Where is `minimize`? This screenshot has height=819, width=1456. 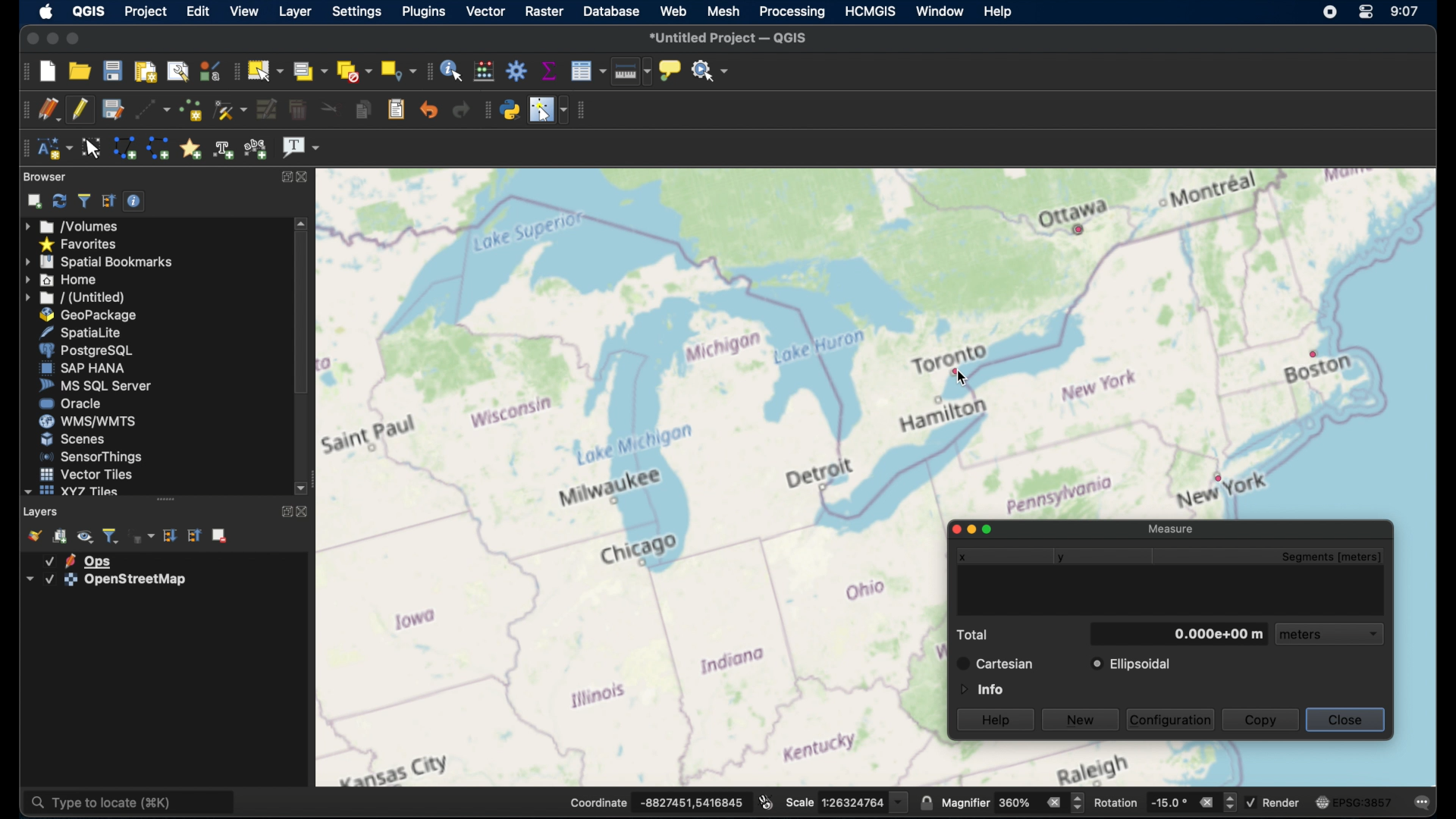 minimize is located at coordinates (971, 530).